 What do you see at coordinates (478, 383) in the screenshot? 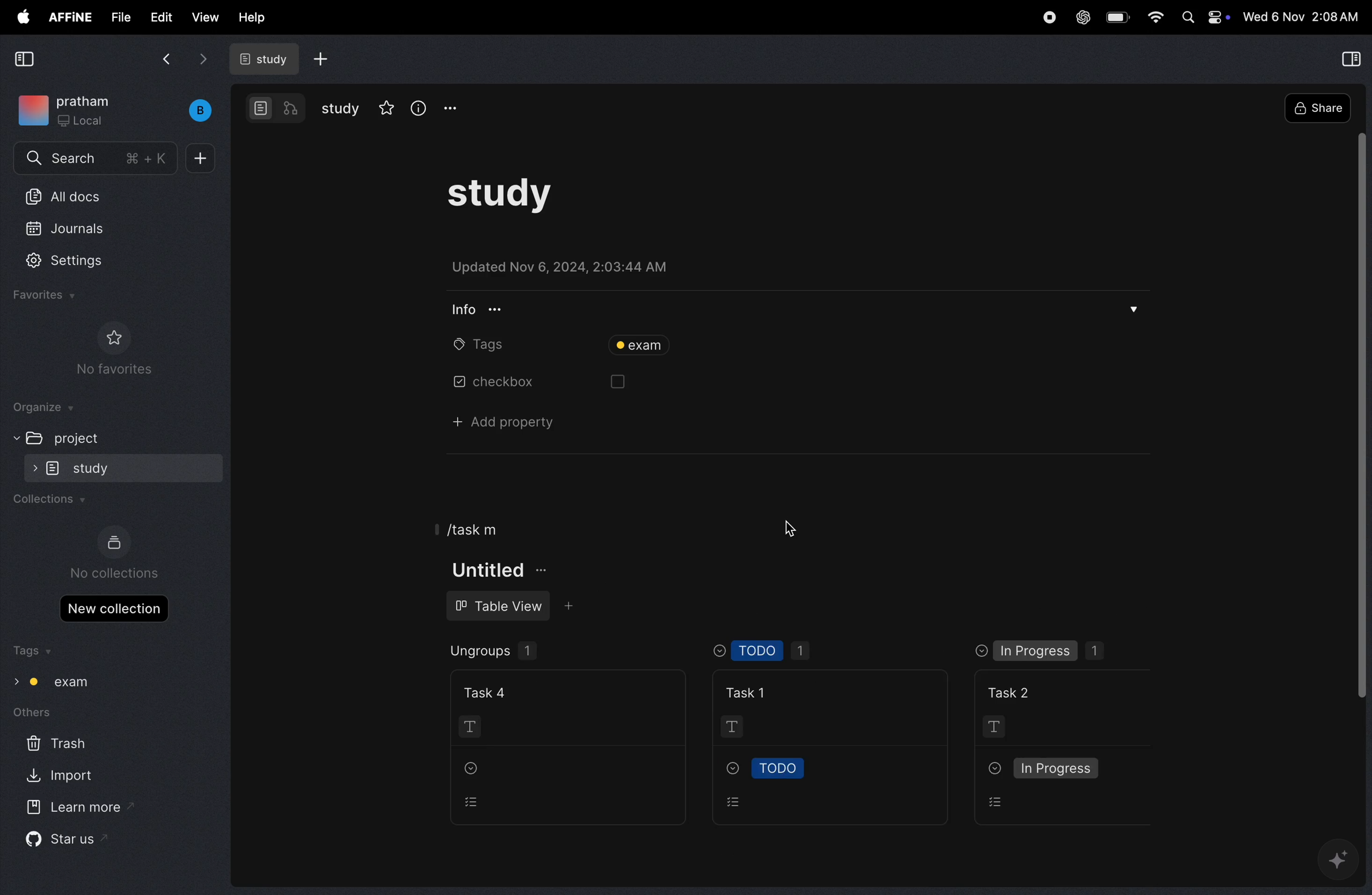
I see `checkbox` at bounding box center [478, 383].